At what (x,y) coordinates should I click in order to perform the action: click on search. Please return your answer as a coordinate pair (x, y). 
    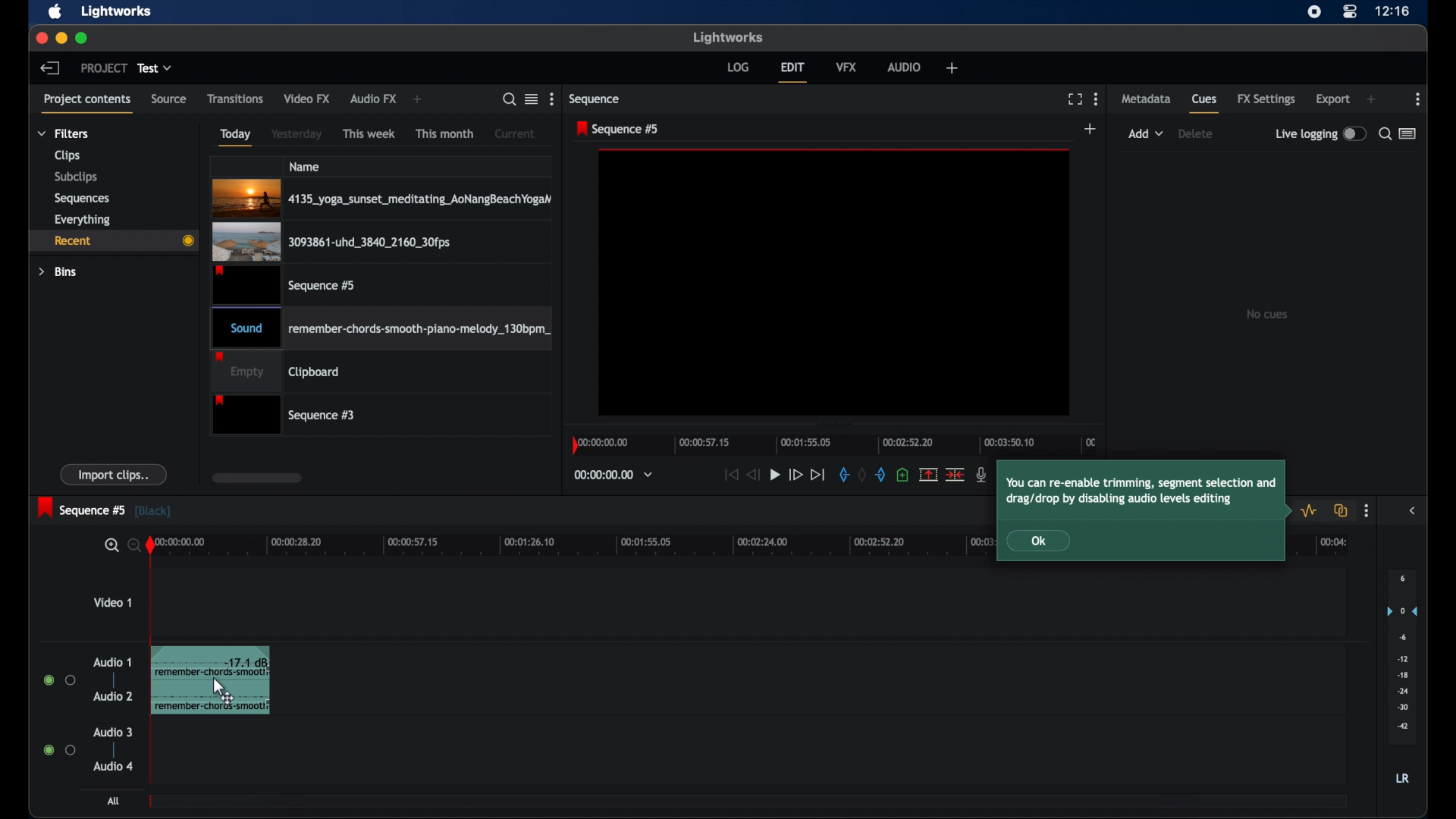
    Looking at the image, I should click on (120, 546).